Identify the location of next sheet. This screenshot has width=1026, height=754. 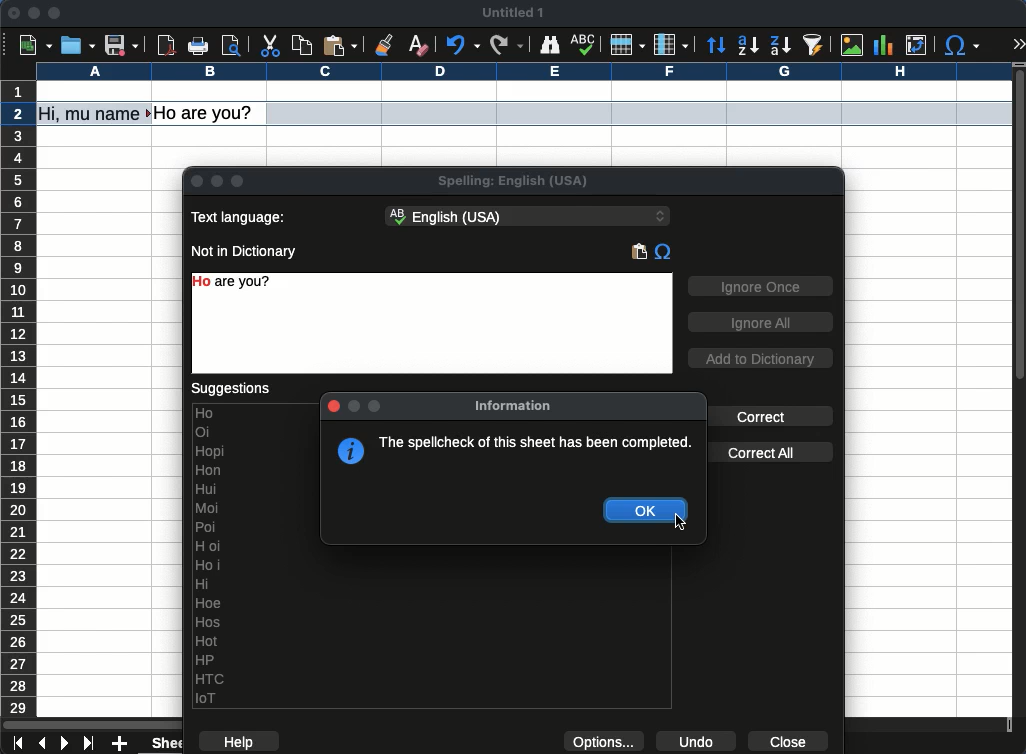
(65, 743).